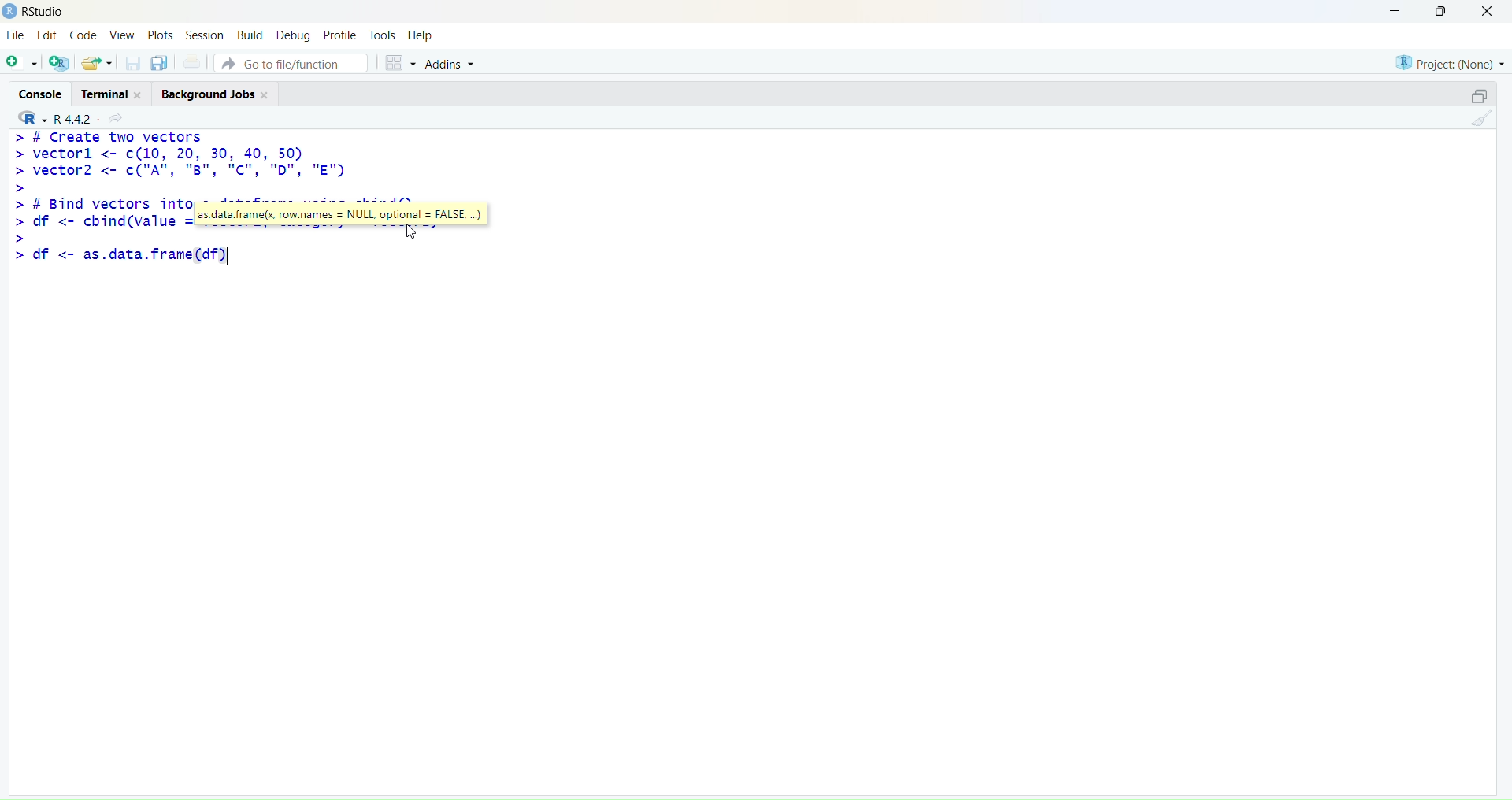 This screenshot has width=1512, height=800. What do you see at coordinates (250, 34) in the screenshot?
I see `Build` at bounding box center [250, 34].